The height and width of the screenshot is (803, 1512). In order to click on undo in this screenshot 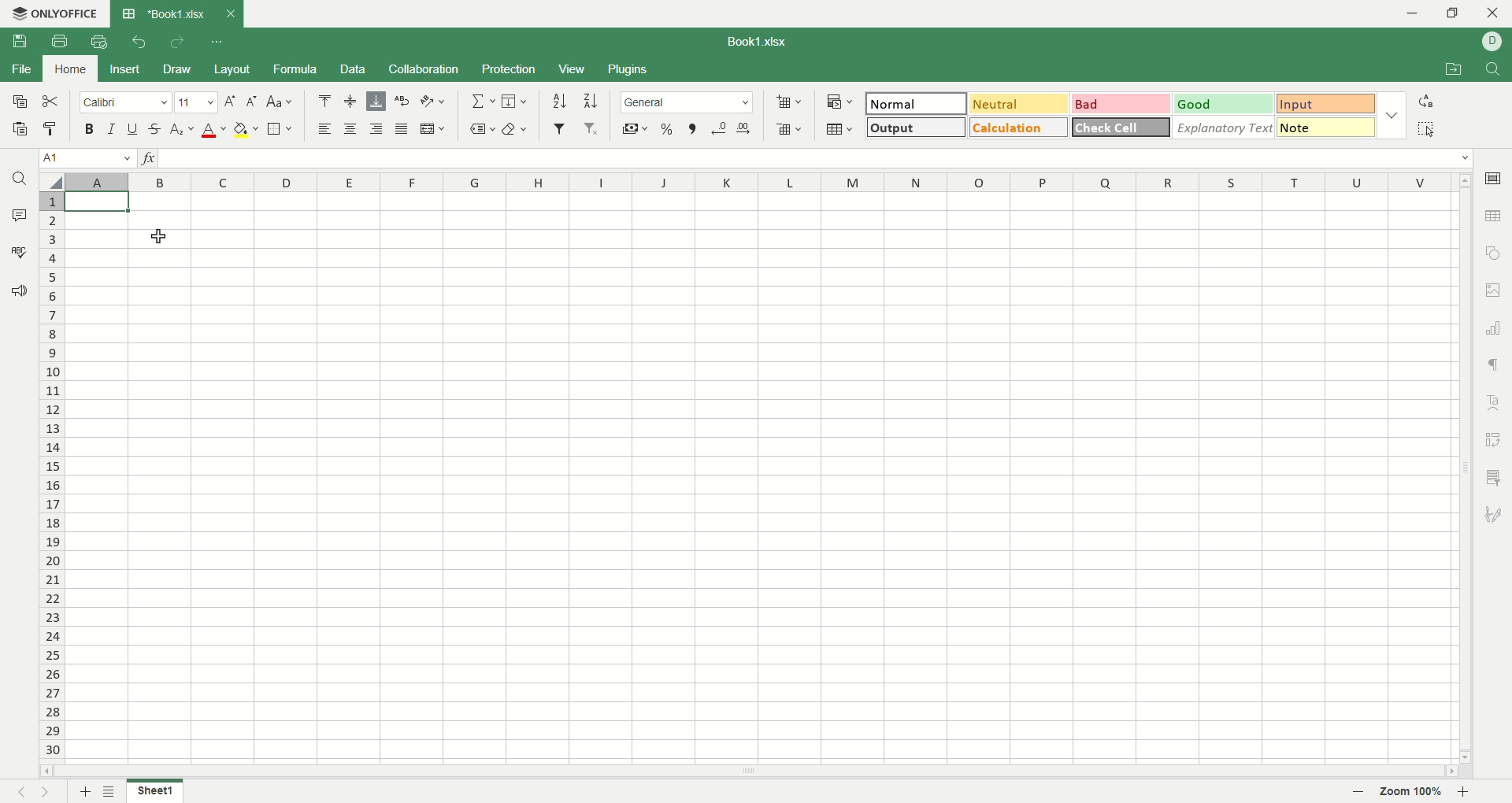, I will do `click(140, 41)`.